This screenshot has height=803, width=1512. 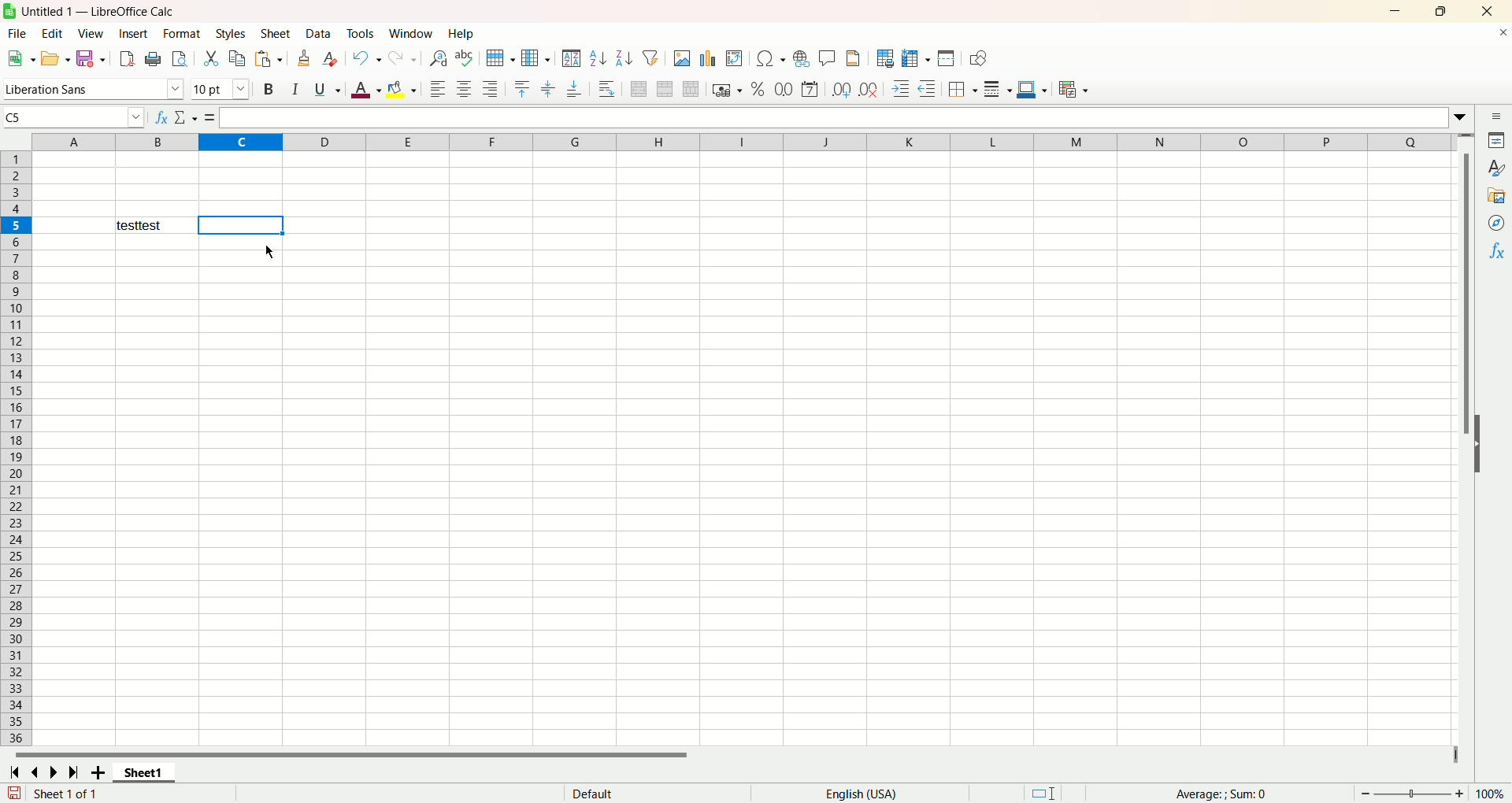 I want to click on language, so click(x=862, y=792).